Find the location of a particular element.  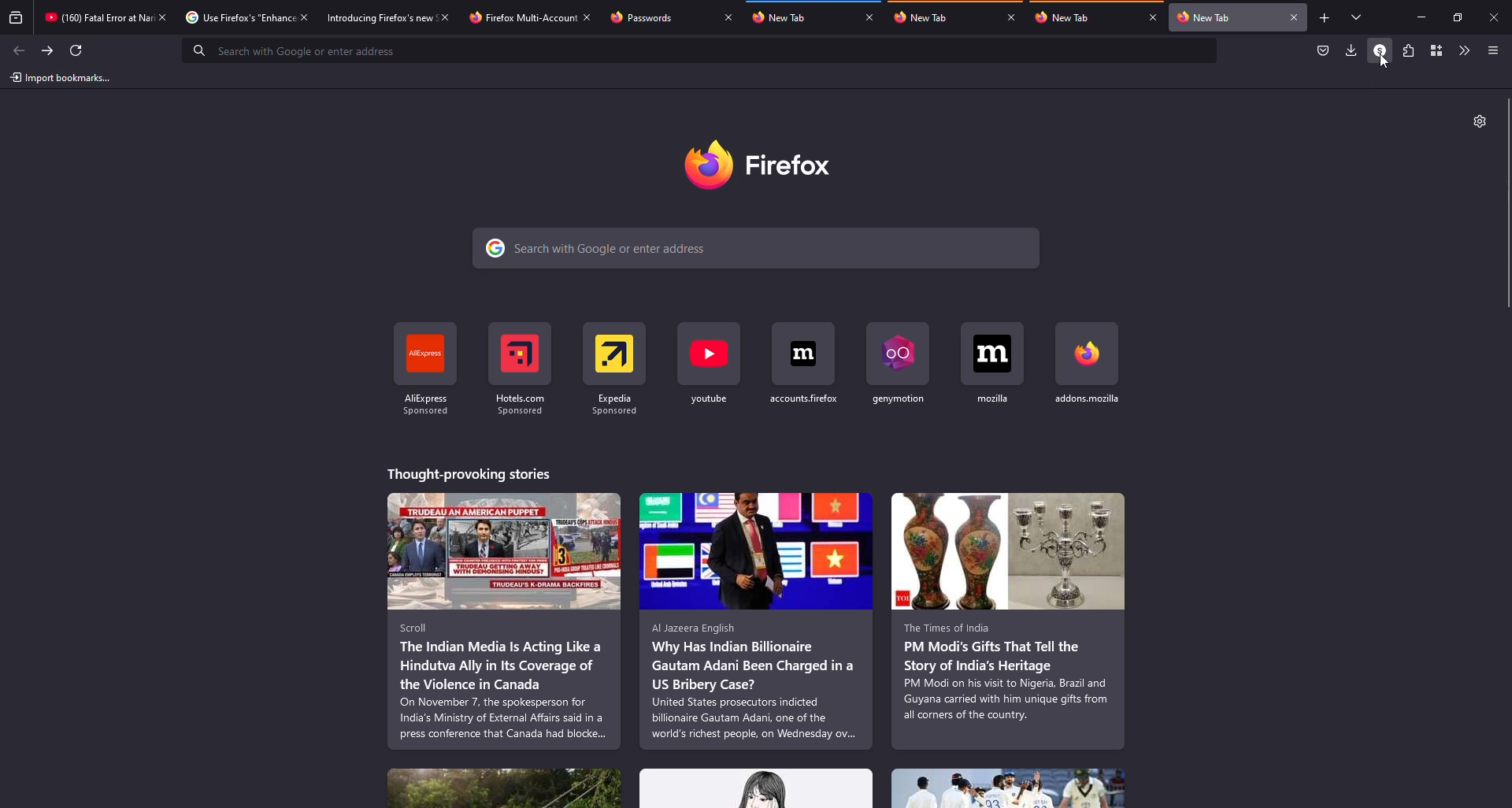

settings is located at coordinates (1477, 120).